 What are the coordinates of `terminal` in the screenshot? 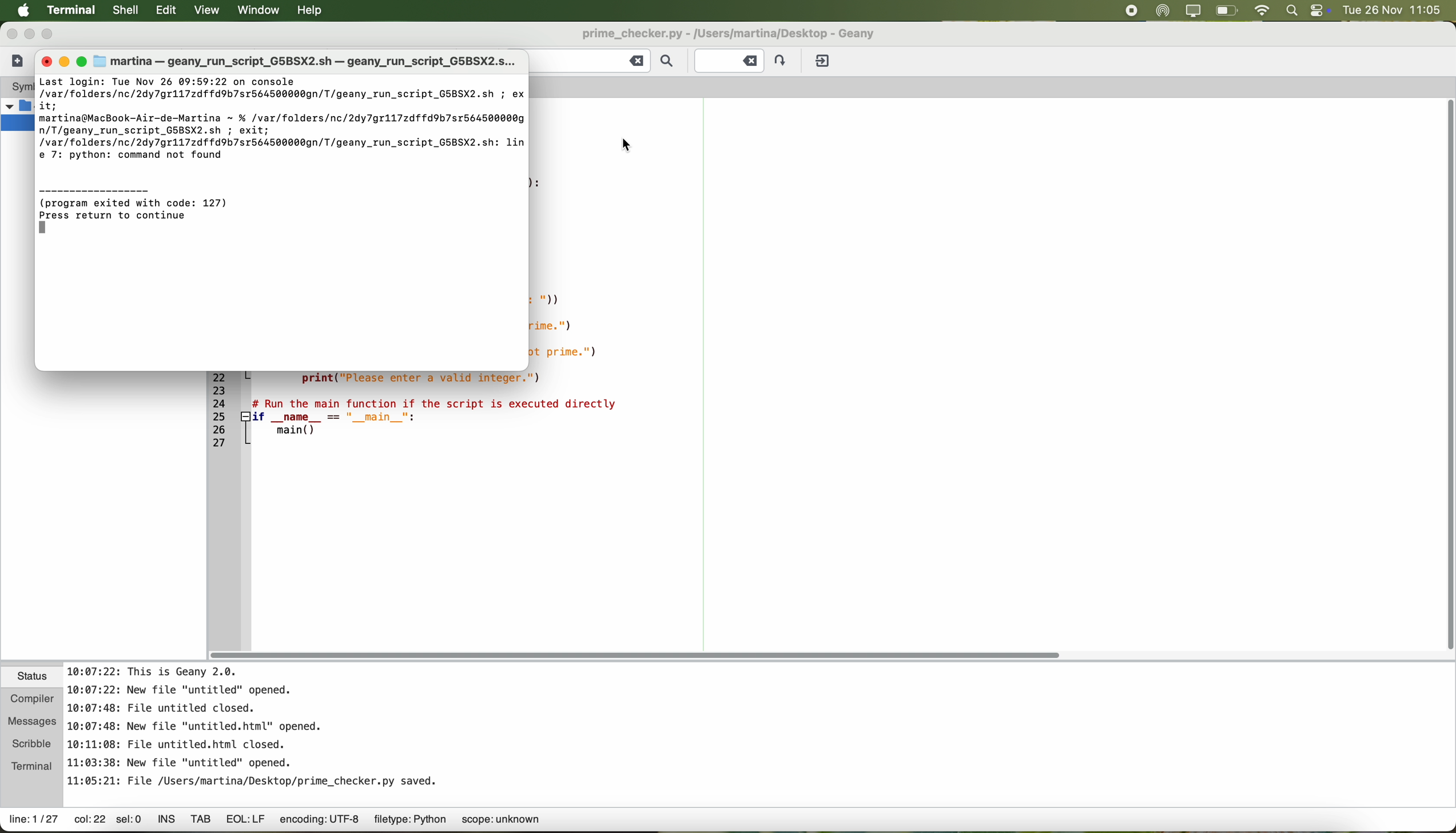 It's located at (33, 766).